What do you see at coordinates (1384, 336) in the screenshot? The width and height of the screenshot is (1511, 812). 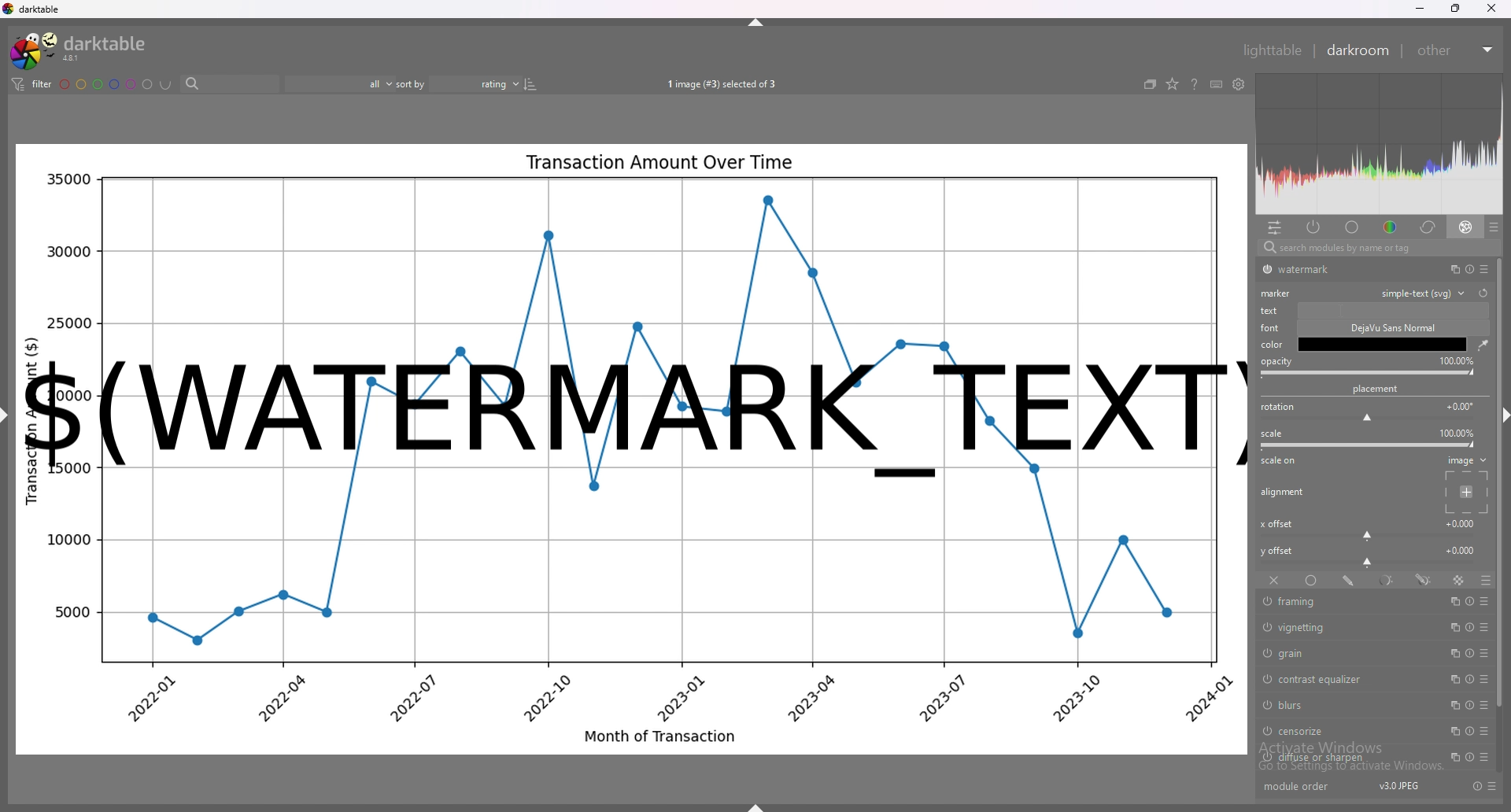 I see `description box` at bounding box center [1384, 336].